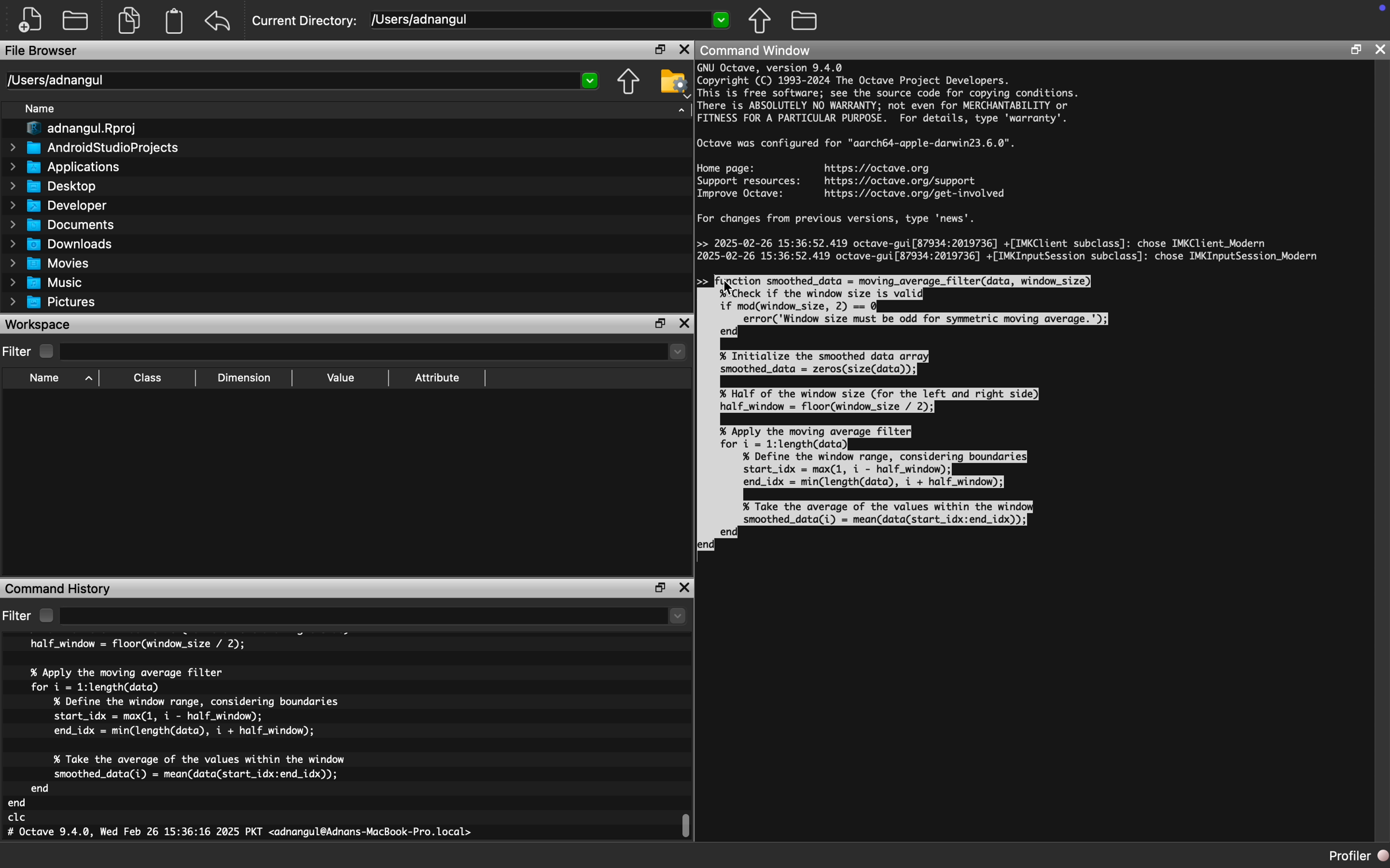 The height and width of the screenshot is (868, 1390). What do you see at coordinates (221, 21) in the screenshot?
I see `Redo` at bounding box center [221, 21].